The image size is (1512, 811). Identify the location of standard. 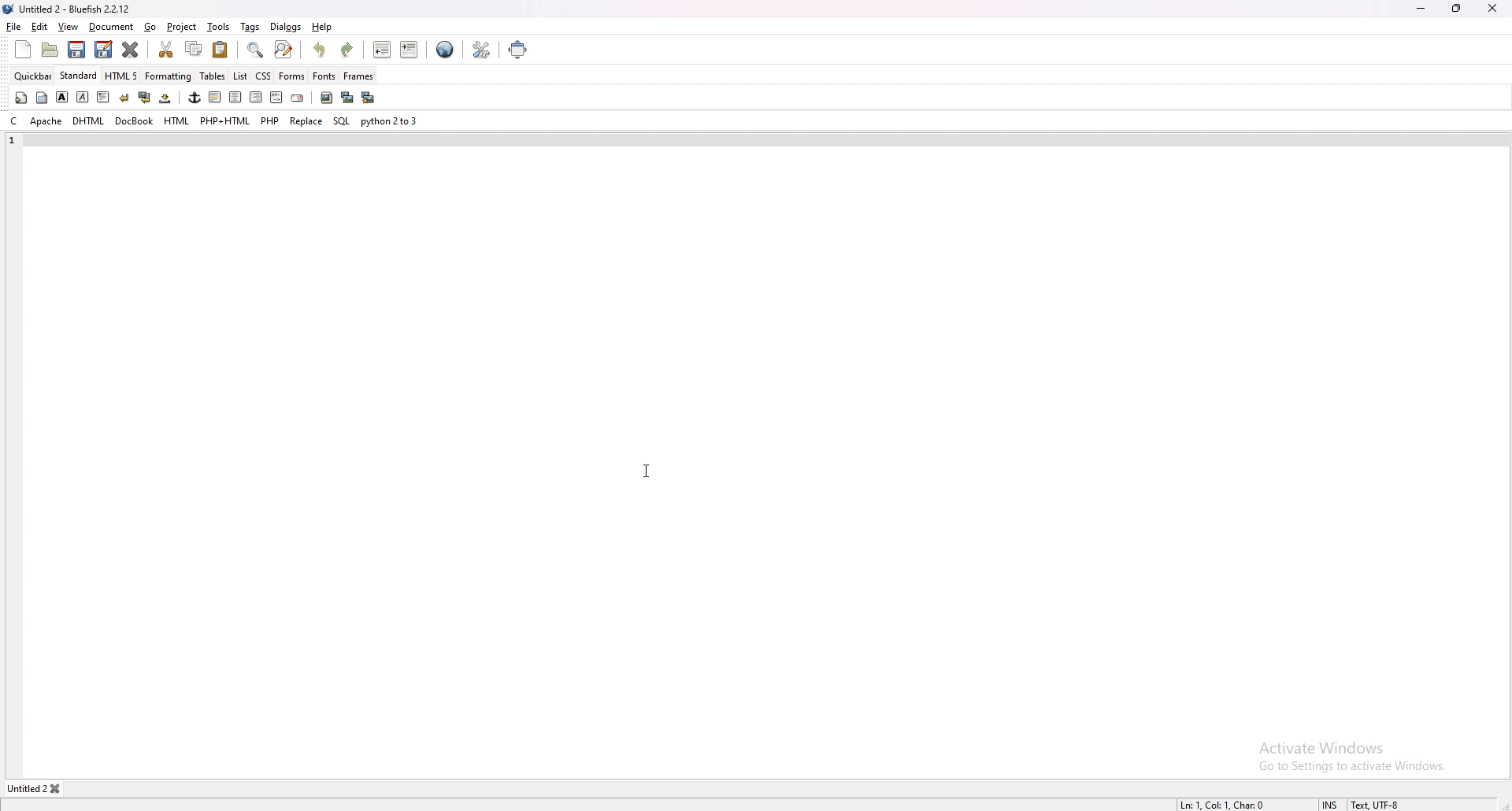
(78, 76).